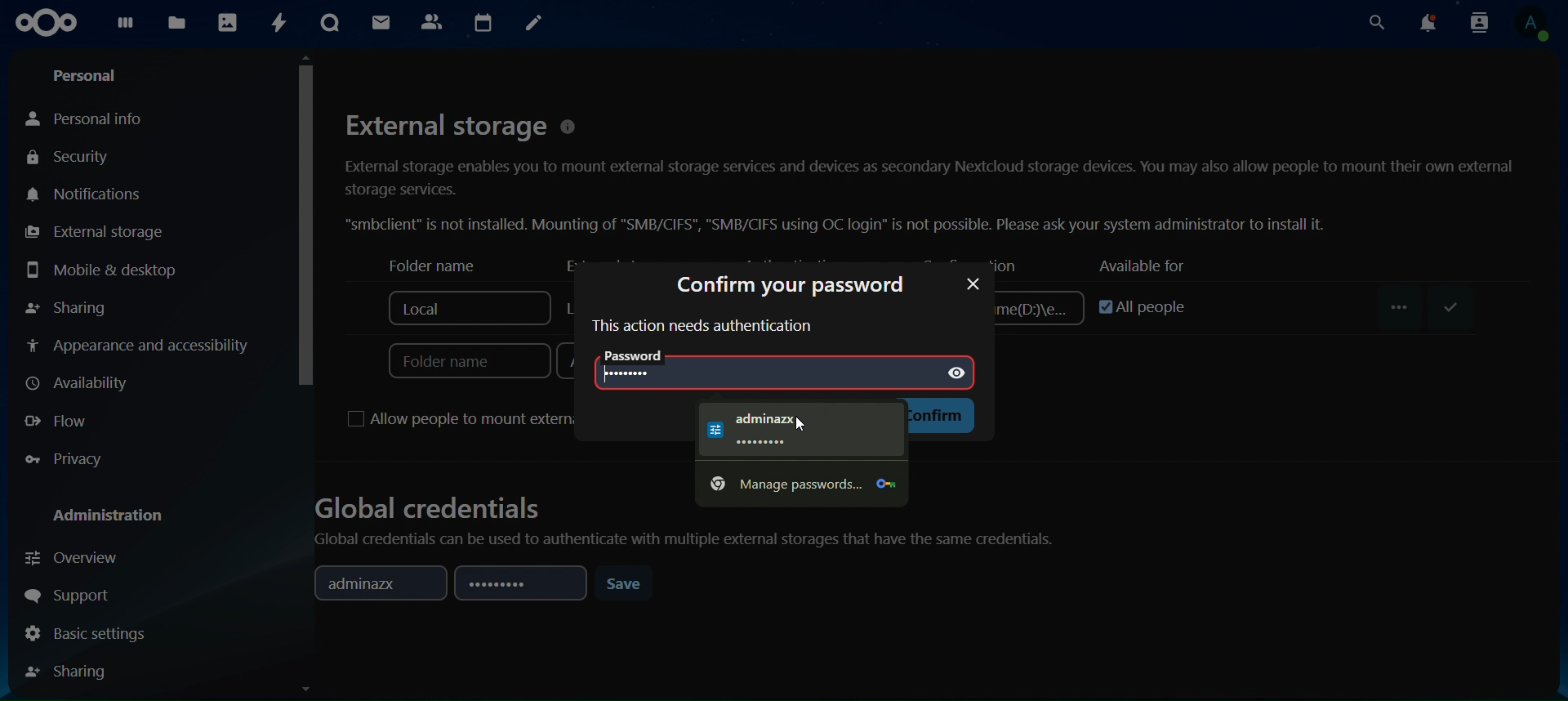  What do you see at coordinates (46, 21) in the screenshot?
I see `icon` at bounding box center [46, 21].